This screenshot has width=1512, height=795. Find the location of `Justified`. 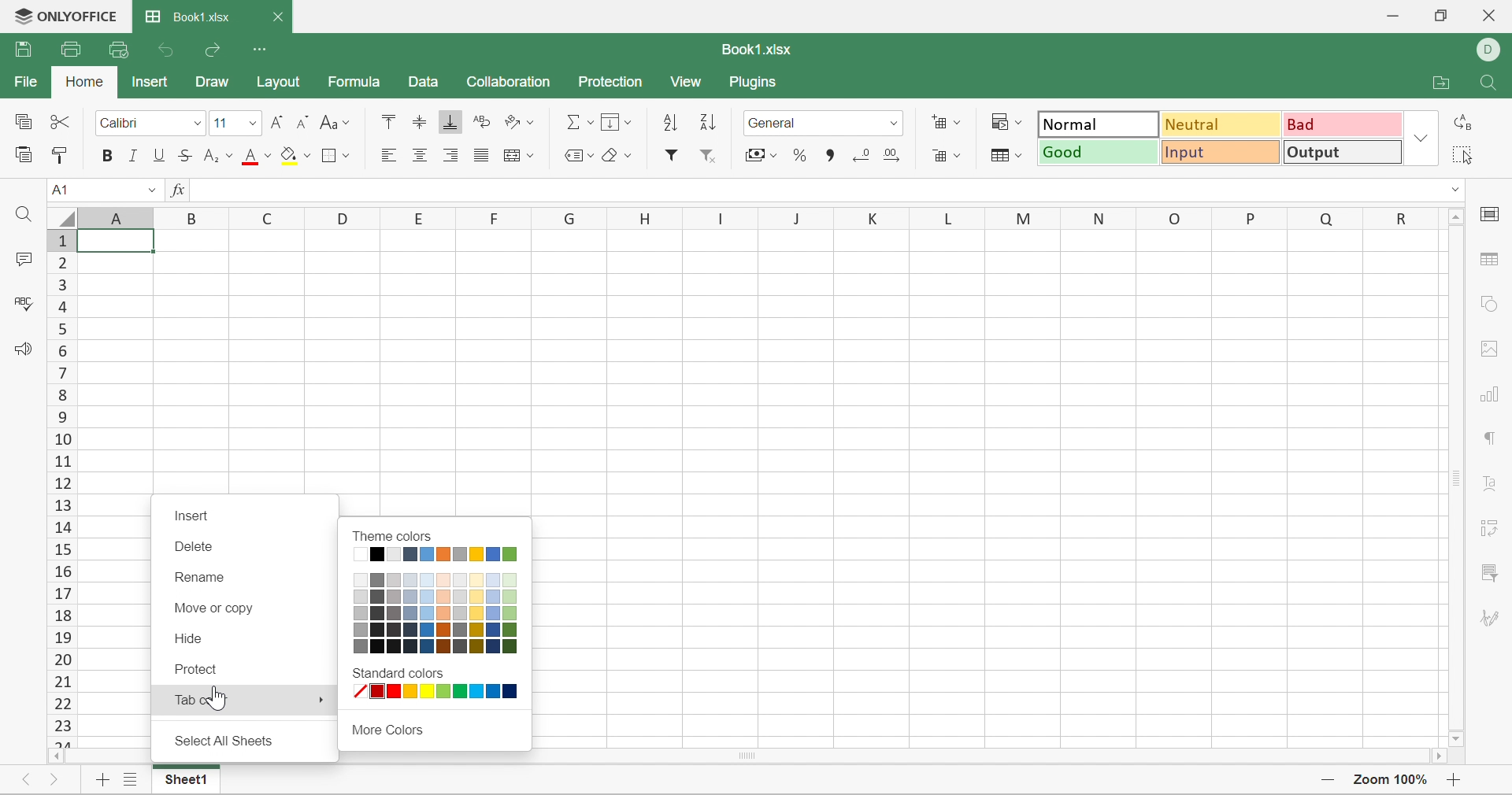

Justified is located at coordinates (478, 155).